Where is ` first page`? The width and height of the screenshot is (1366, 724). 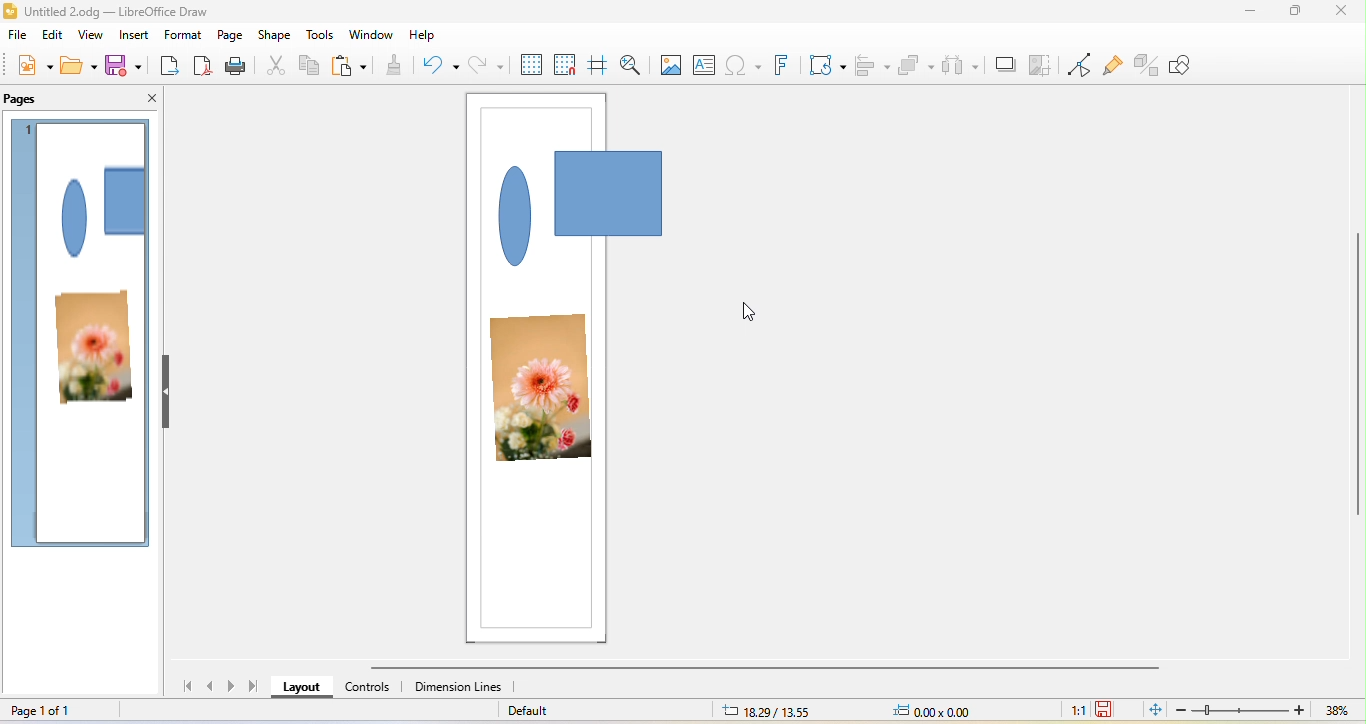  first page is located at coordinates (193, 689).